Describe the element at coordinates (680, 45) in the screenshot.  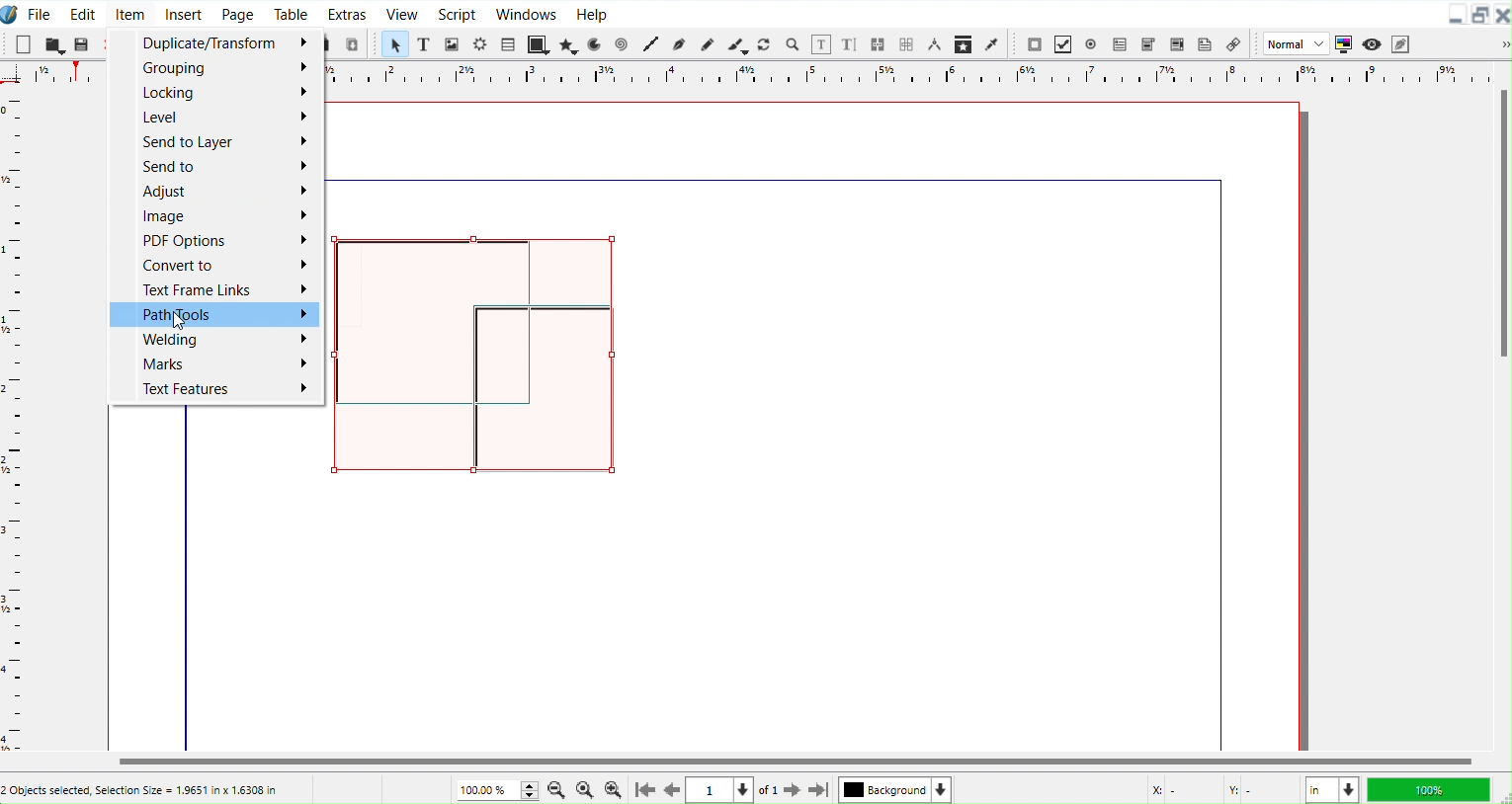
I see `Bezier curve` at that location.